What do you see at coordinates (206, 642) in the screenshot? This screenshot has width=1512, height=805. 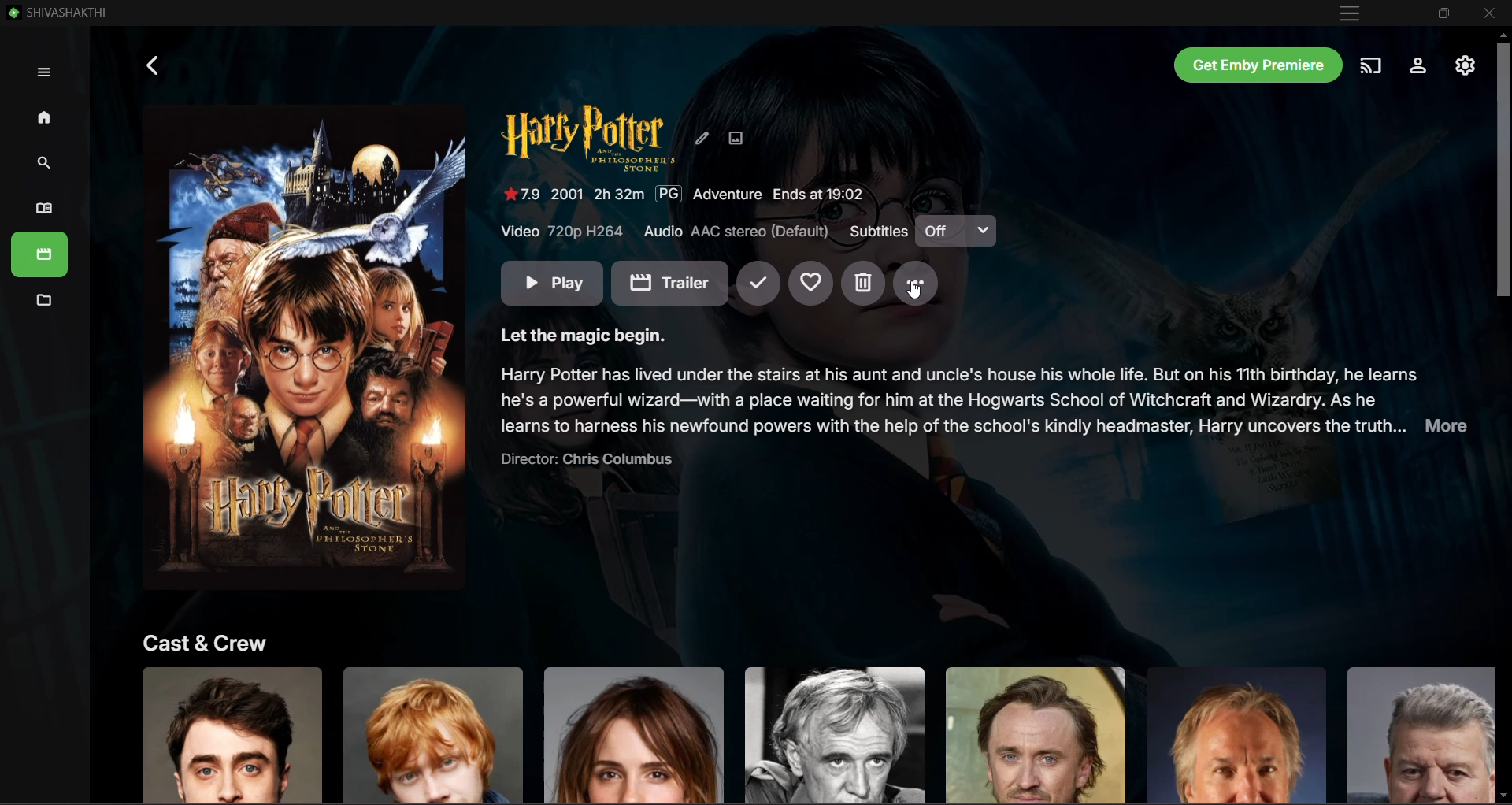 I see `Cast and Crew` at bounding box center [206, 642].